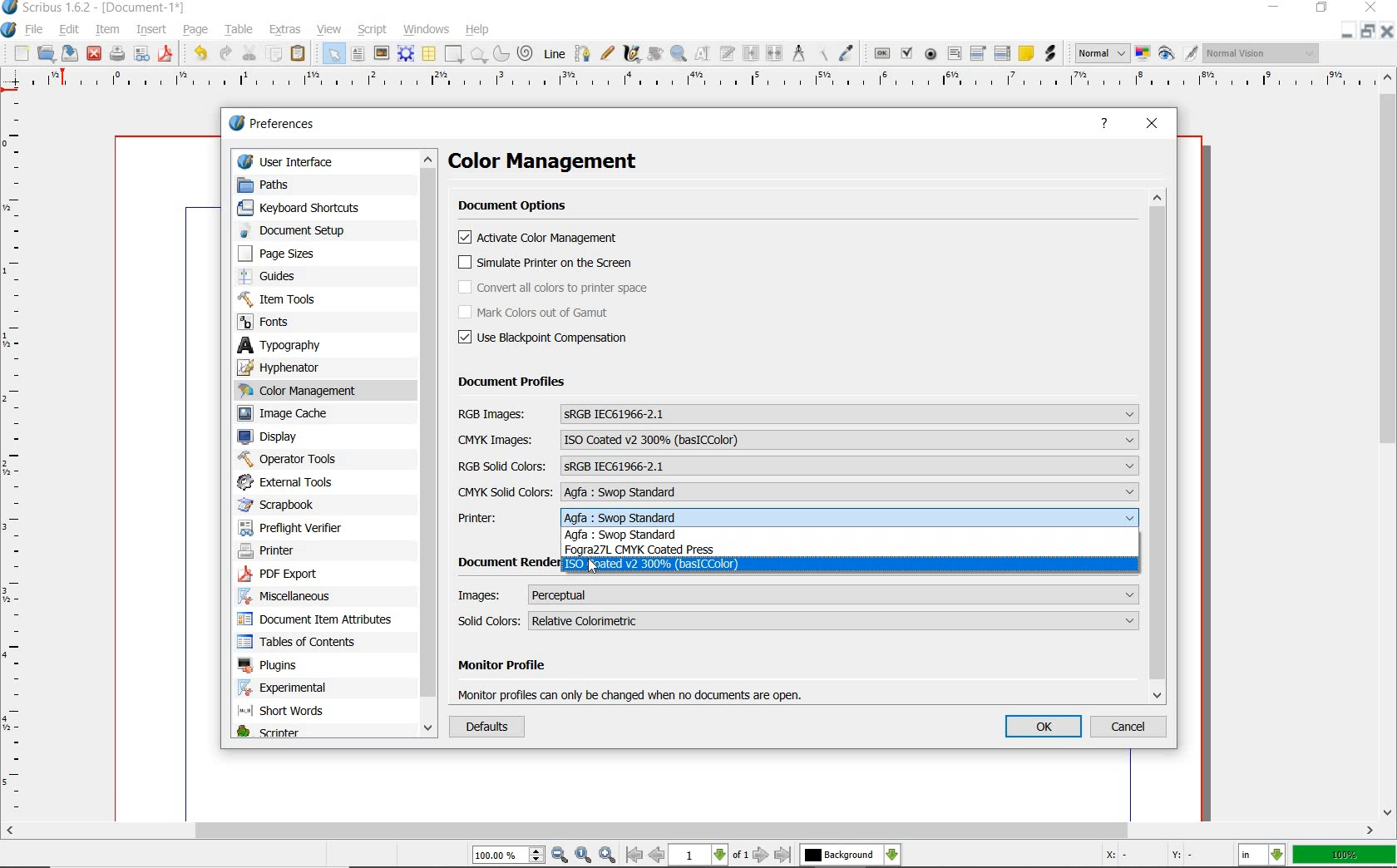 The image size is (1397, 868). Describe the element at coordinates (798, 440) in the screenshot. I see `CMYK Images` at that location.